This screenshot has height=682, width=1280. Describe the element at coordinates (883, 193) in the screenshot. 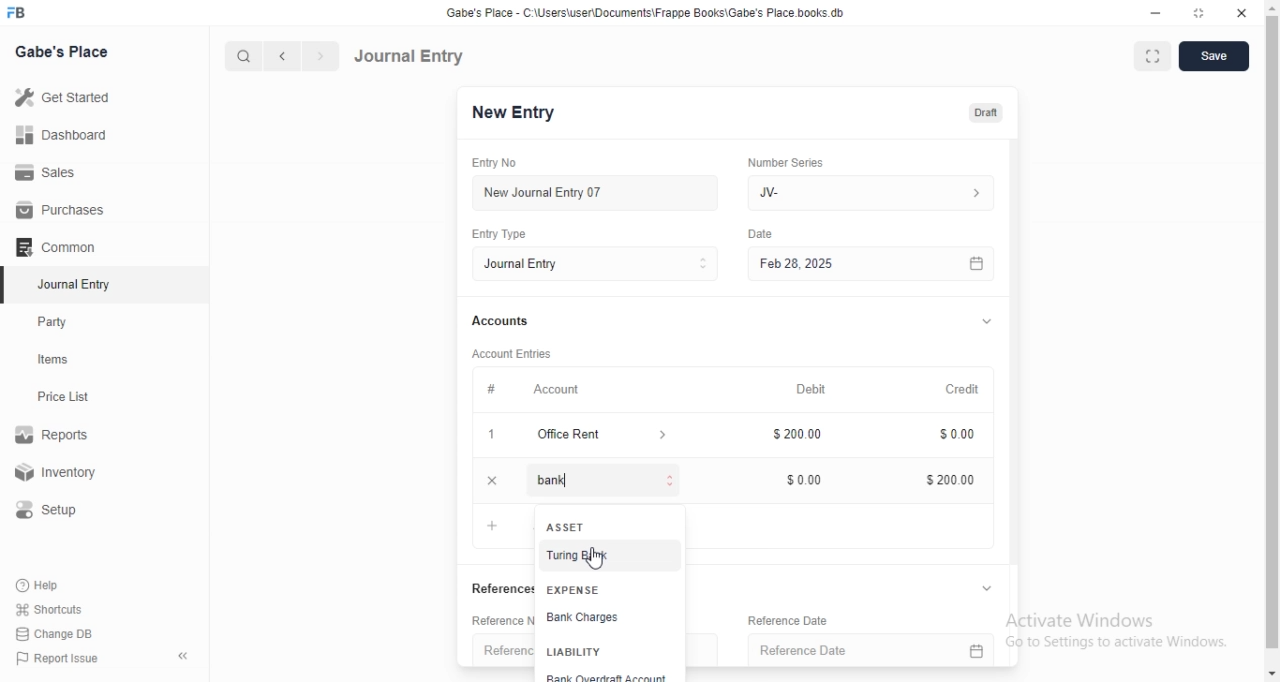

I see `JV-` at that location.